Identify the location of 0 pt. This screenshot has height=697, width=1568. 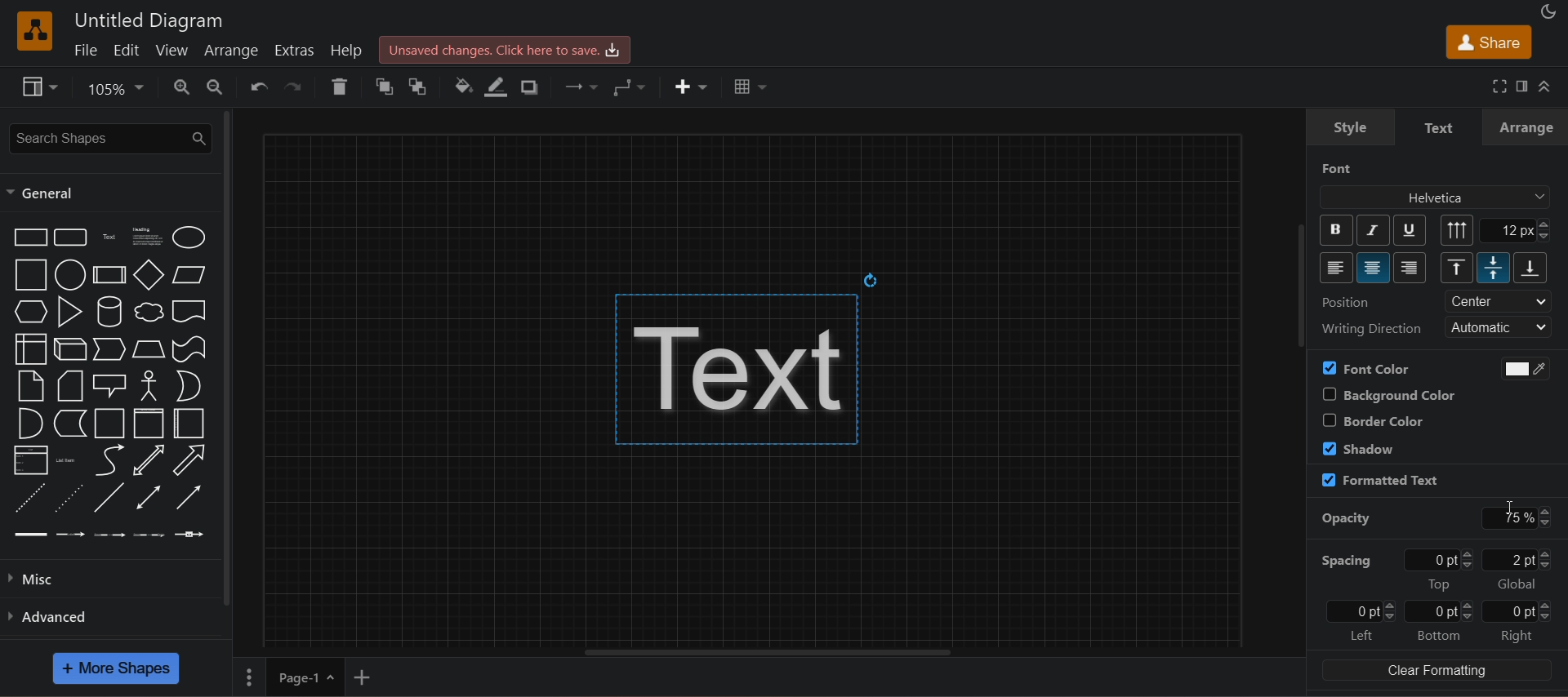
(1361, 611).